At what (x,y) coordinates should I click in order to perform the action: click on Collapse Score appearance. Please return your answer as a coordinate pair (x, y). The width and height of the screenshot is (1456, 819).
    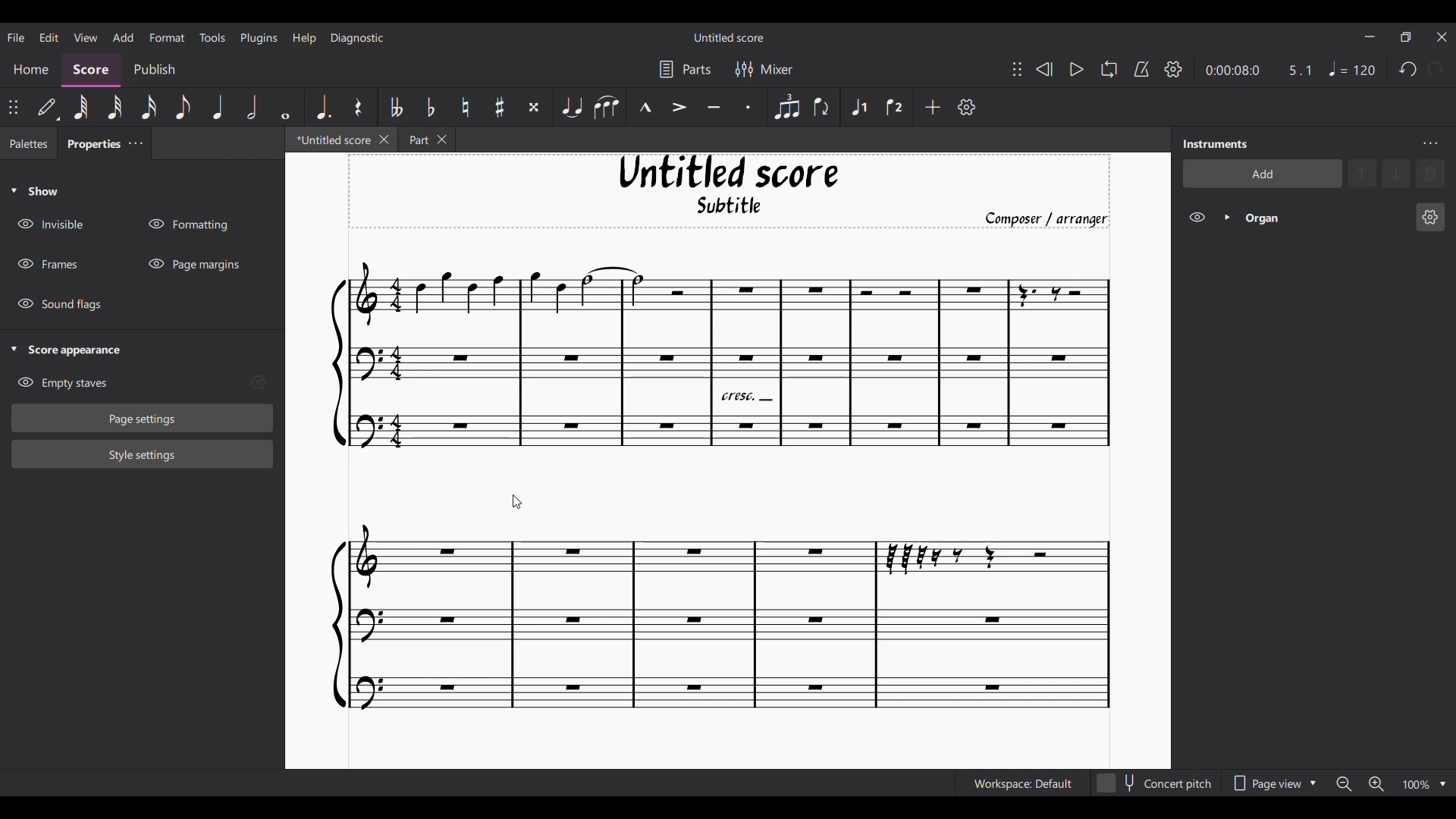
    Looking at the image, I should click on (66, 351).